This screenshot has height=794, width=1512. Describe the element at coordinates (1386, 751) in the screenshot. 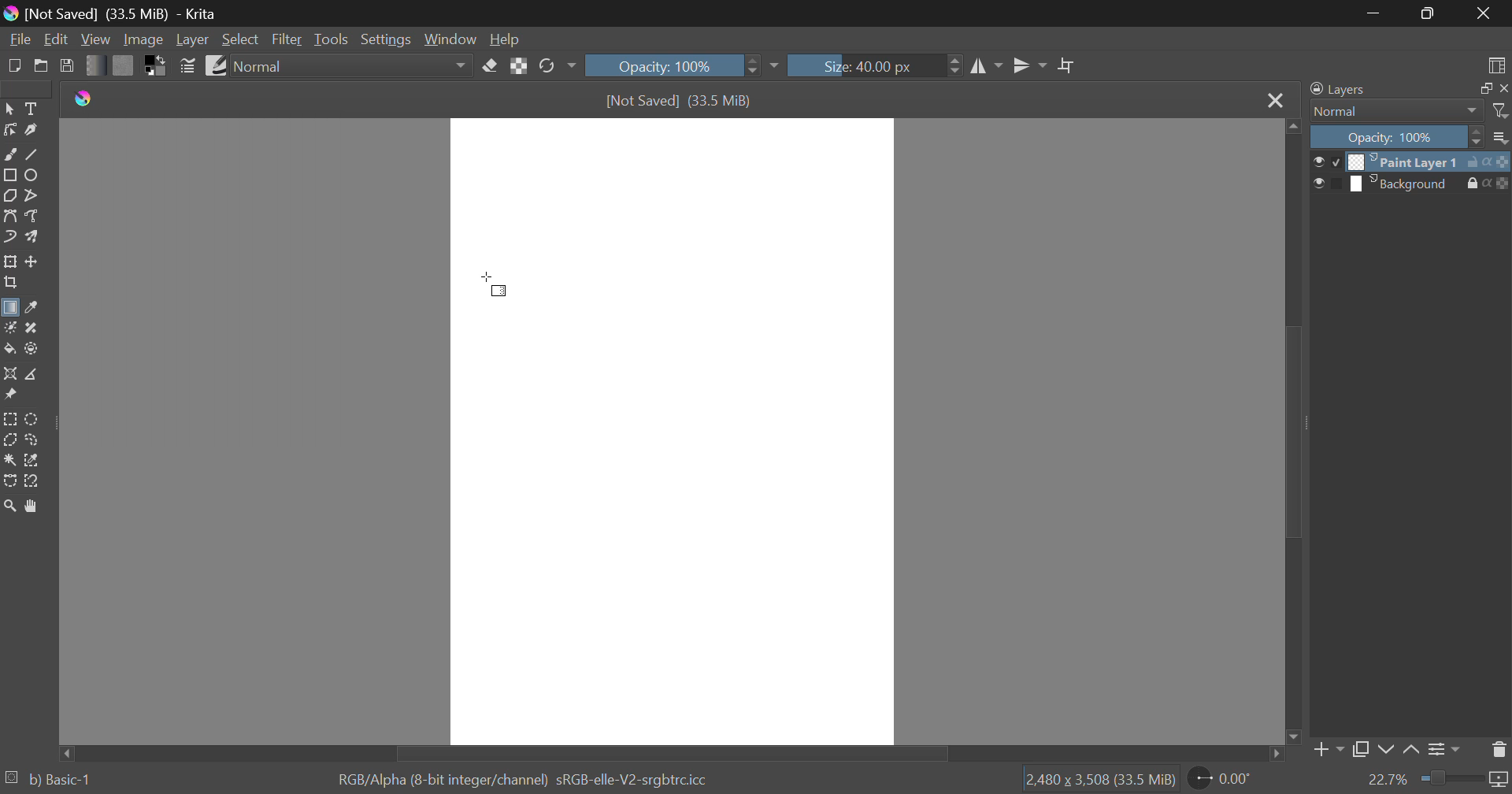

I see `Move Layer Down` at that location.